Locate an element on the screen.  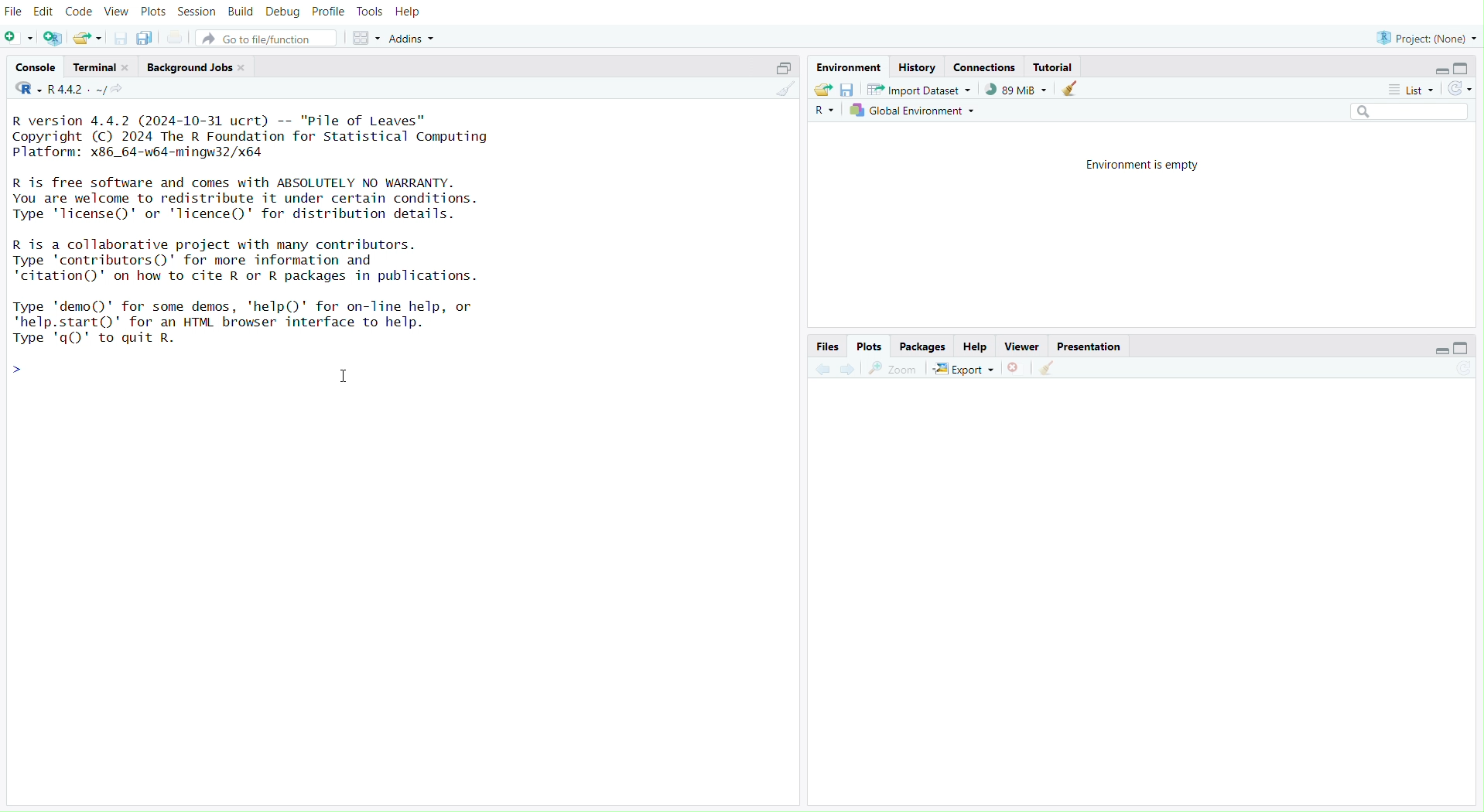
Session is located at coordinates (195, 12).